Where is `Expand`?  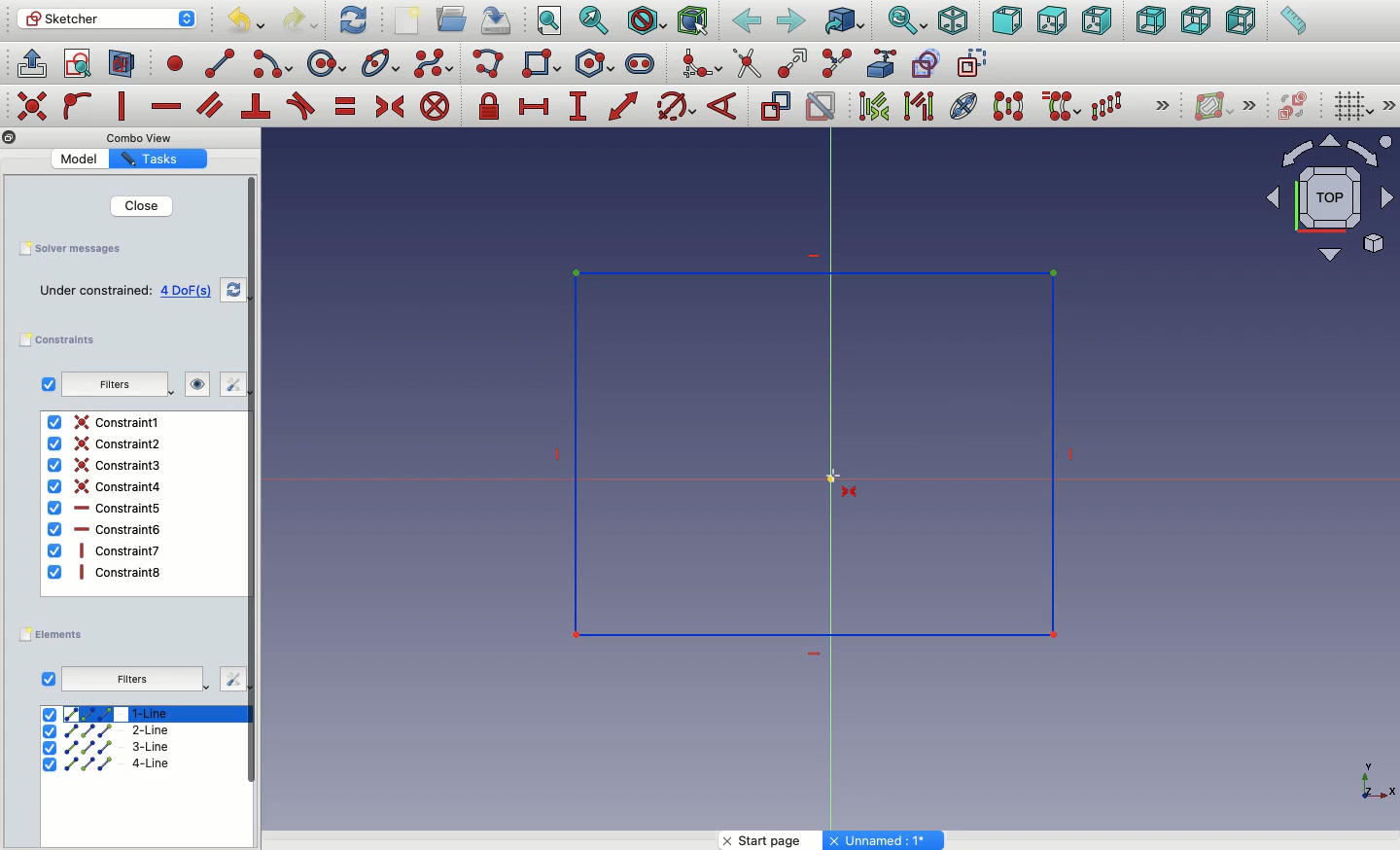 Expand is located at coordinates (1250, 105).